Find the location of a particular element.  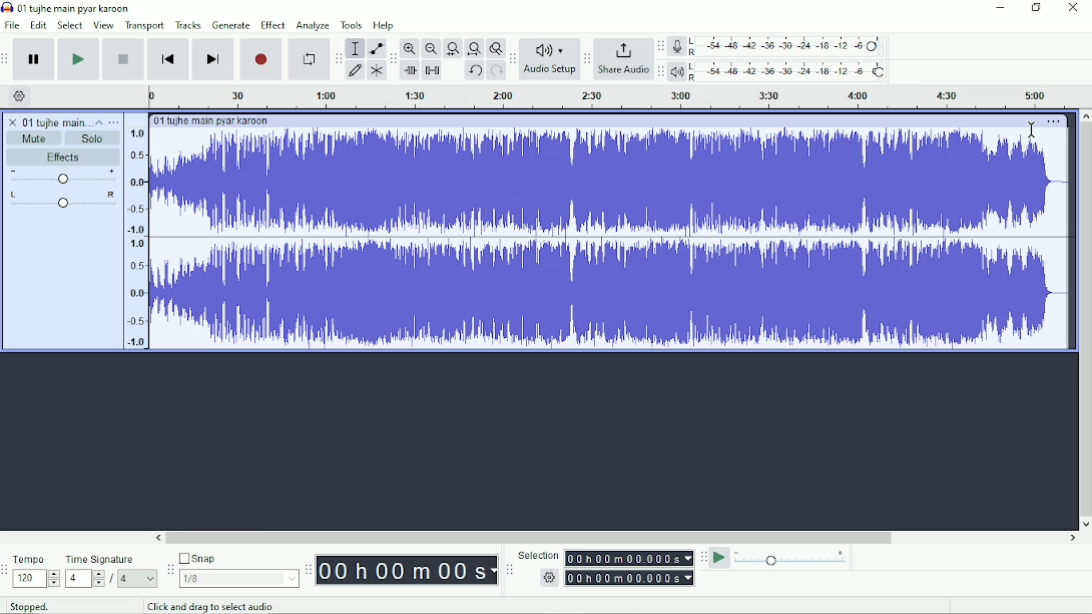

Effect is located at coordinates (274, 25).